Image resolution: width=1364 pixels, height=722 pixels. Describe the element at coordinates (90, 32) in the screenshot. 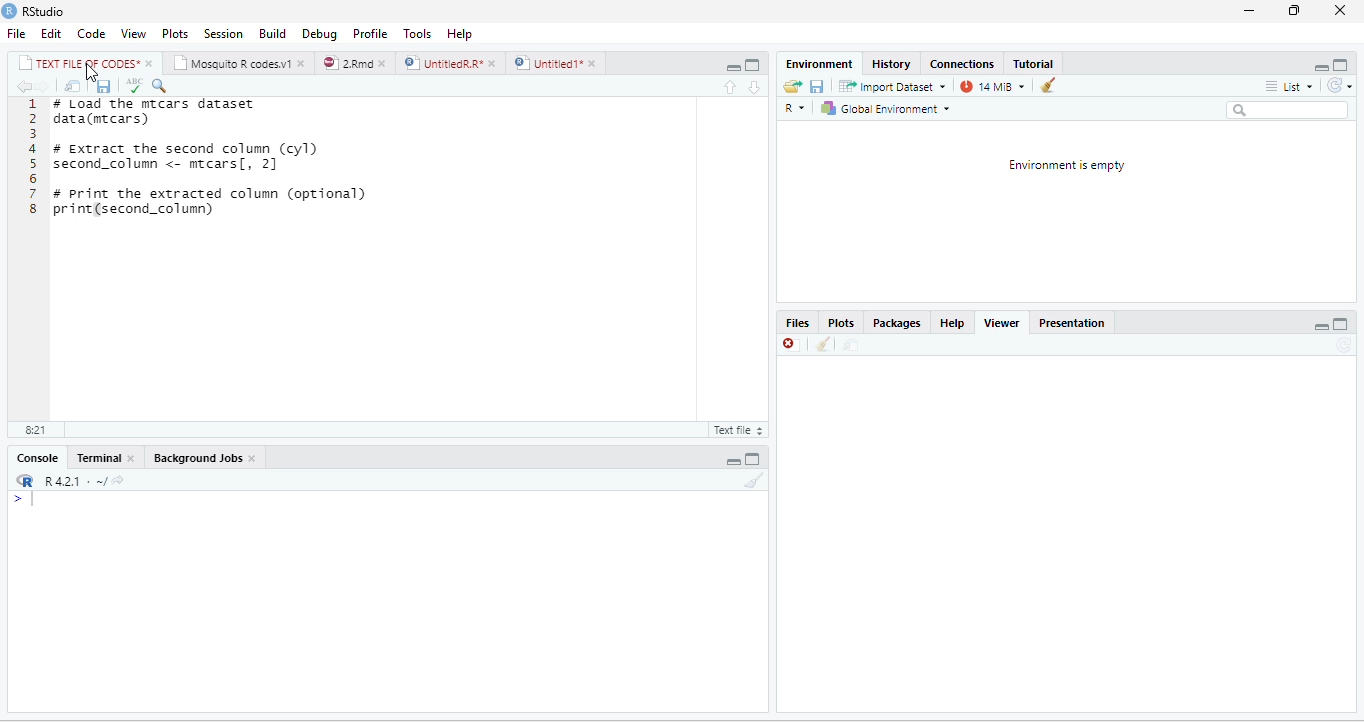

I see `Code` at that location.